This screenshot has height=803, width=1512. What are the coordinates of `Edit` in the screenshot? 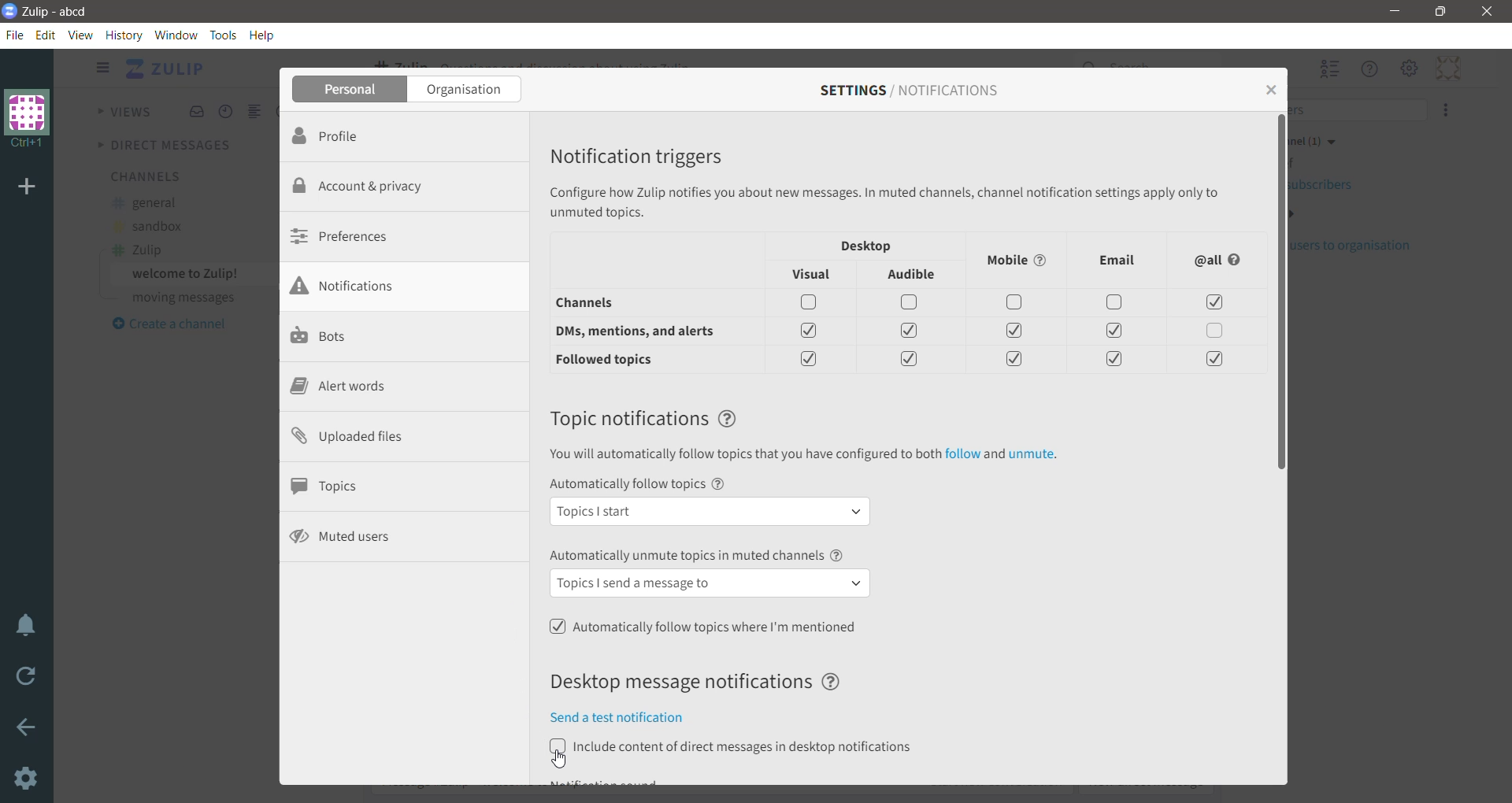 It's located at (48, 35).